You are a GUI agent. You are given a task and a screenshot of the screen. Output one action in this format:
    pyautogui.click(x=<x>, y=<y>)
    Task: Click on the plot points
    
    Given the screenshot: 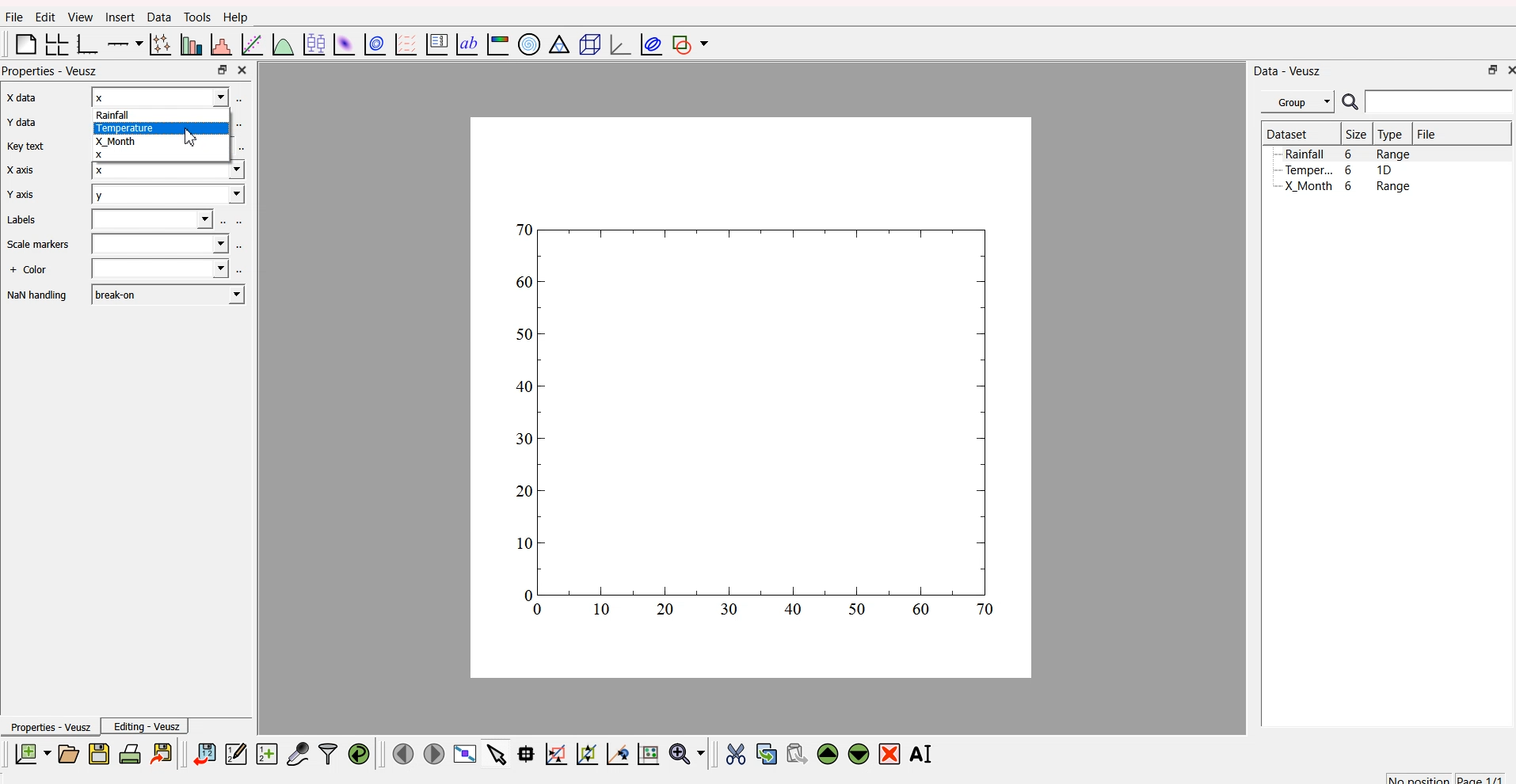 What is the action you would take?
    pyautogui.click(x=158, y=44)
    